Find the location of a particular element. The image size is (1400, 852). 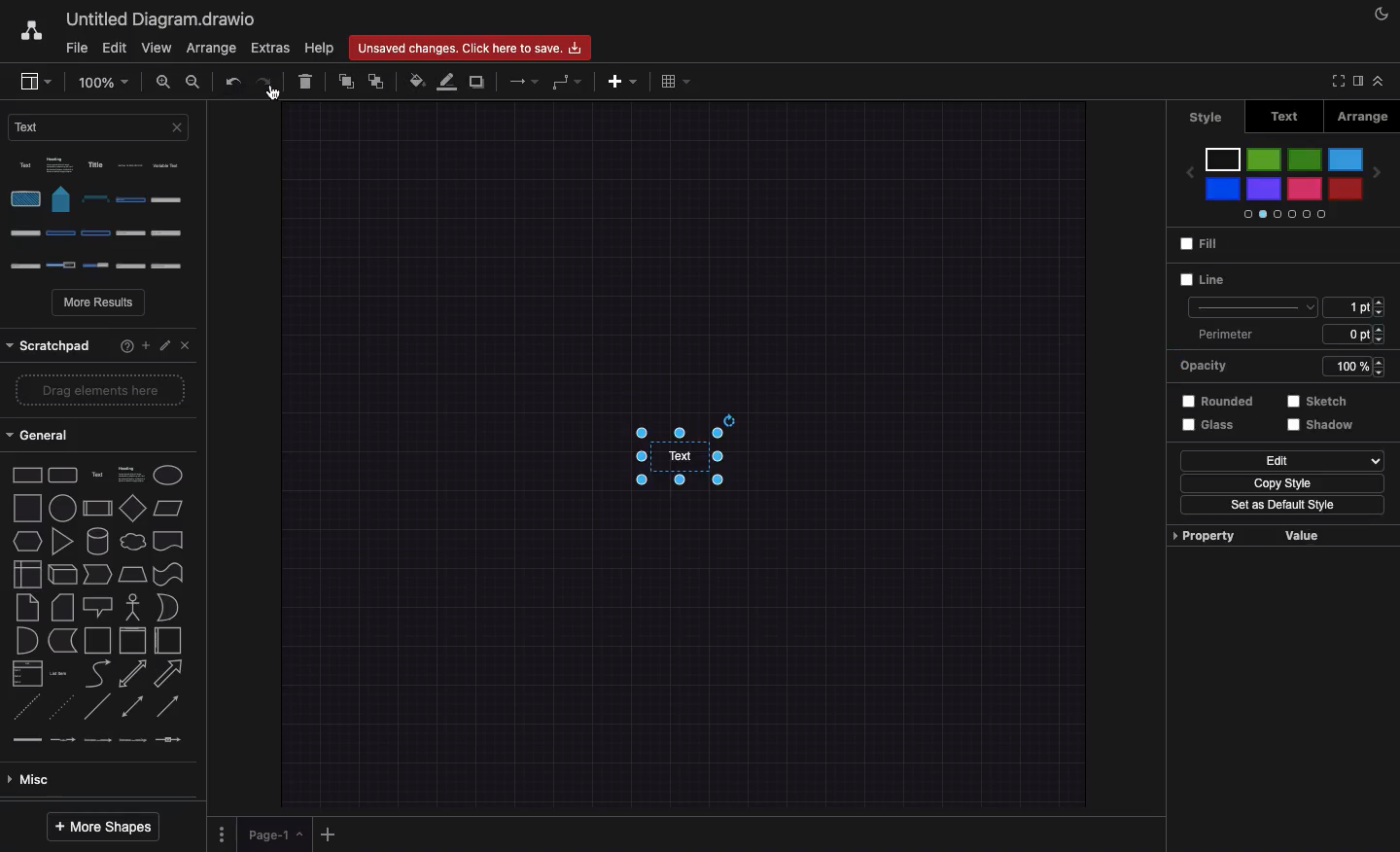

Trash is located at coordinates (307, 84).